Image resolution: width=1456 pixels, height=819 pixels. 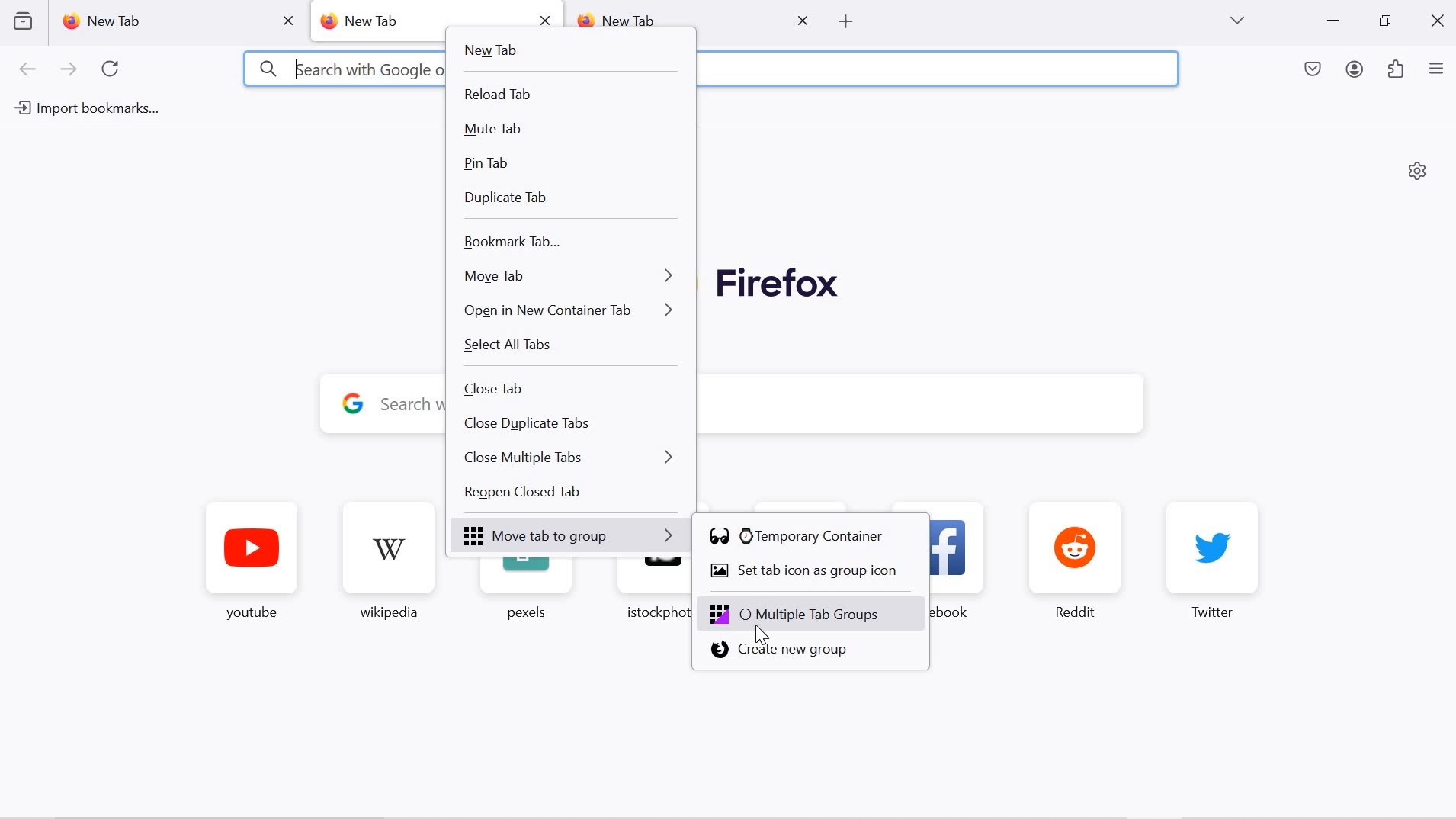 I want to click on reload tab, so click(x=572, y=96).